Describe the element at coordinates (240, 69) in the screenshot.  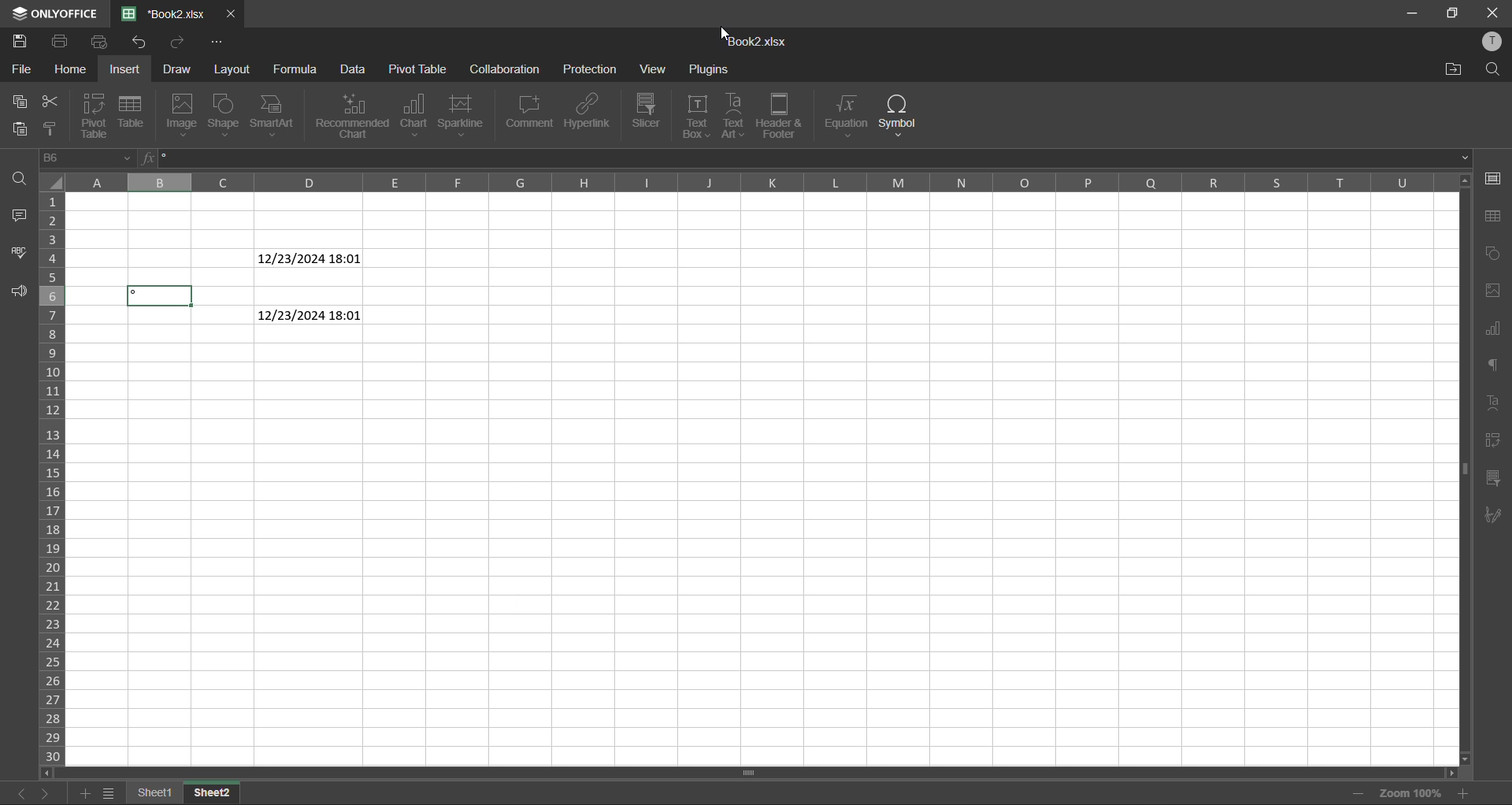
I see `layout` at that location.